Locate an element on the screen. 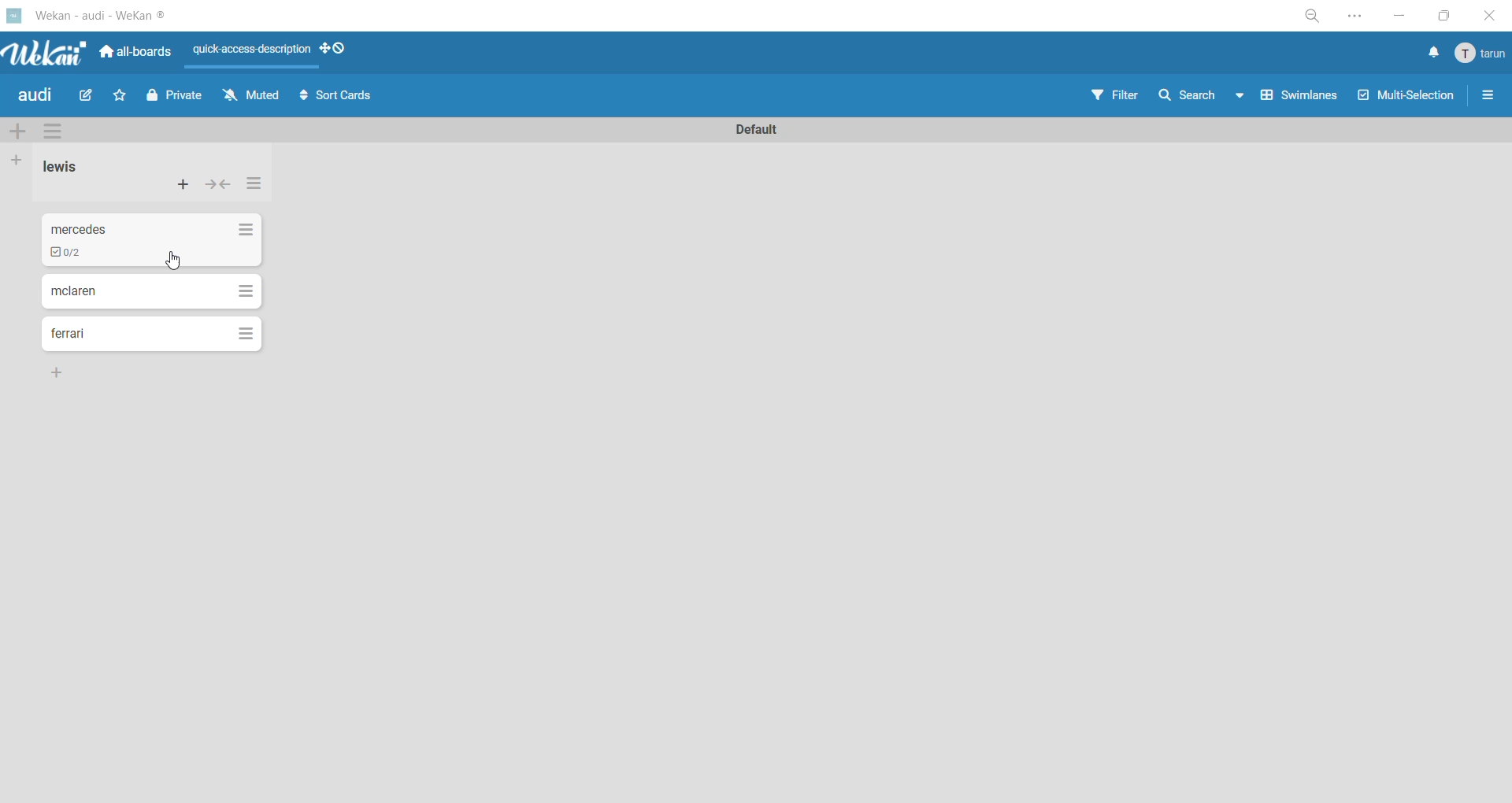 Image resolution: width=1512 pixels, height=803 pixels. close is located at coordinates (1489, 19).